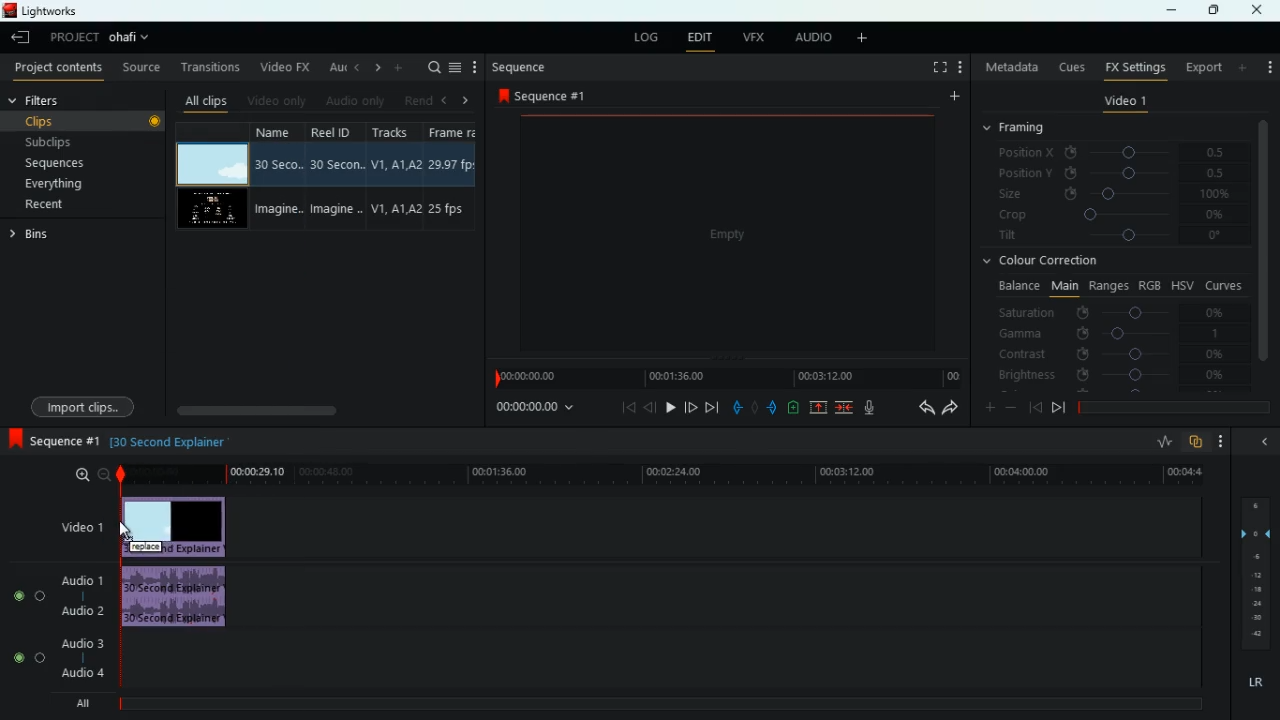 The height and width of the screenshot is (720, 1280). What do you see at coordinates (82, 672) in the screenshot?
I see `audio 4` at bounding box center [82, 672].